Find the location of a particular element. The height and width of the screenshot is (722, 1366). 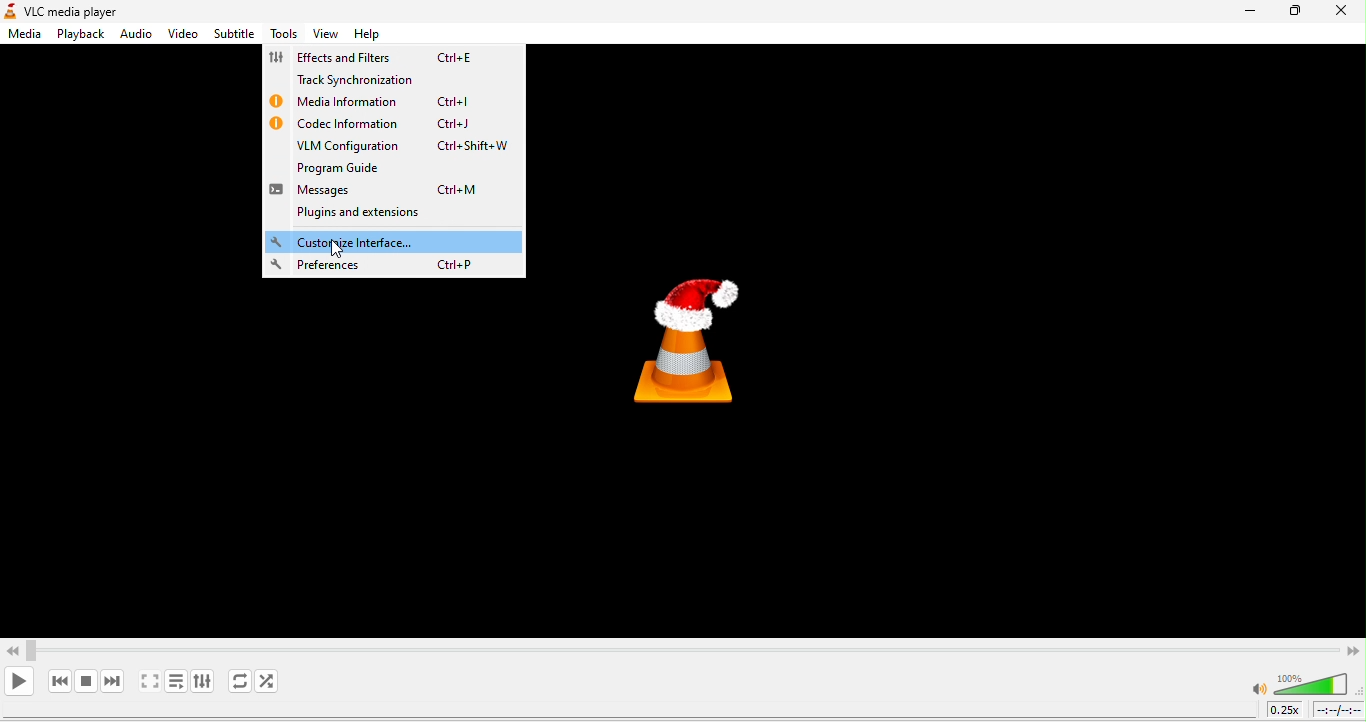

volume is located at coordinates (1301, 683).